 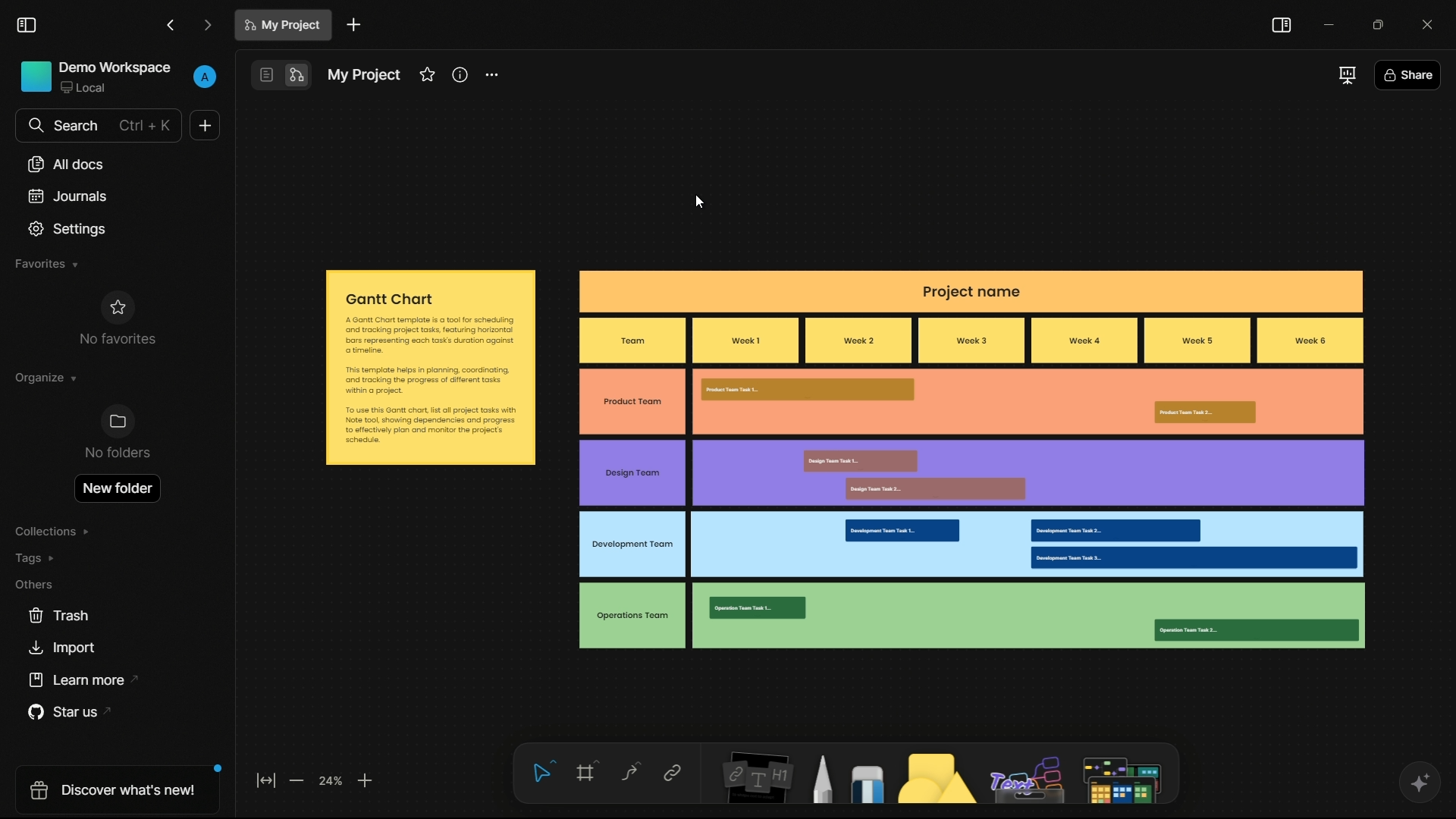 I want to click on new document, so click(x=206, y=125).